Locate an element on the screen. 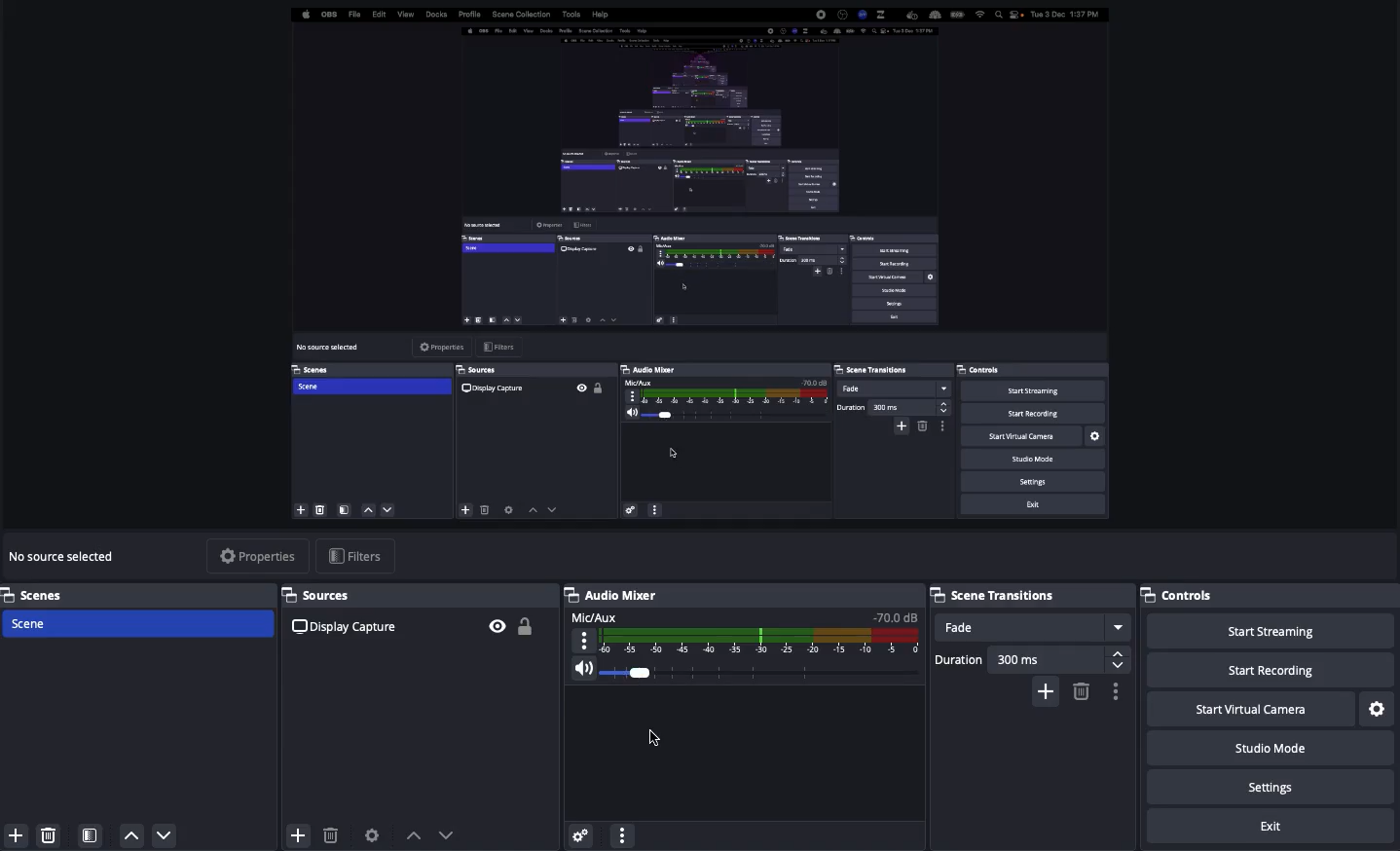 This screenshot has height=851, width=1400. Made change is located at coordinates (658, 739).